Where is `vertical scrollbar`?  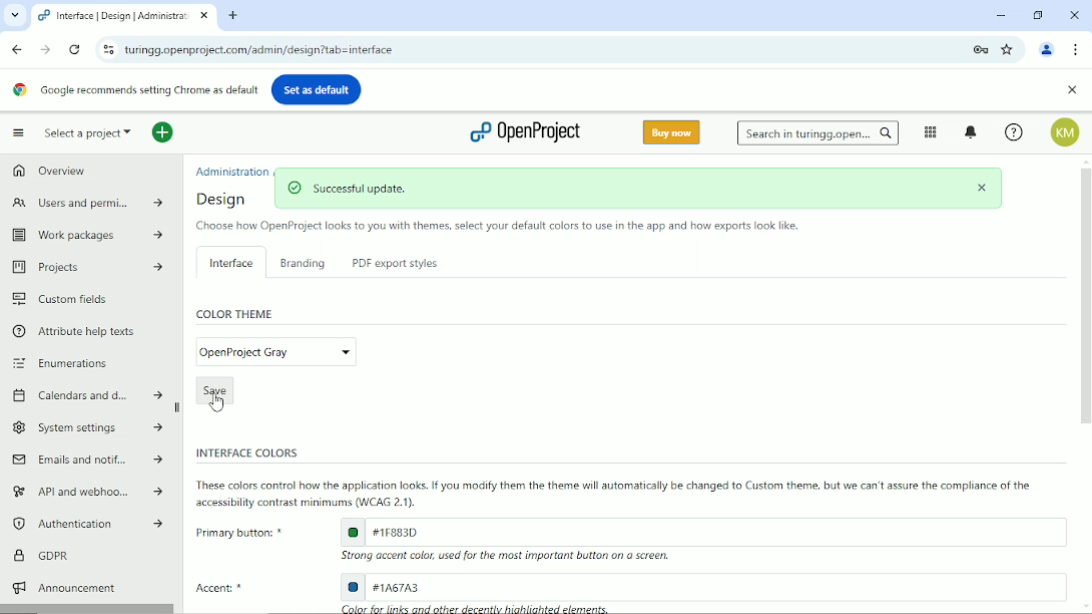 vertical scrollbar is located at coordinates (1085, 296).